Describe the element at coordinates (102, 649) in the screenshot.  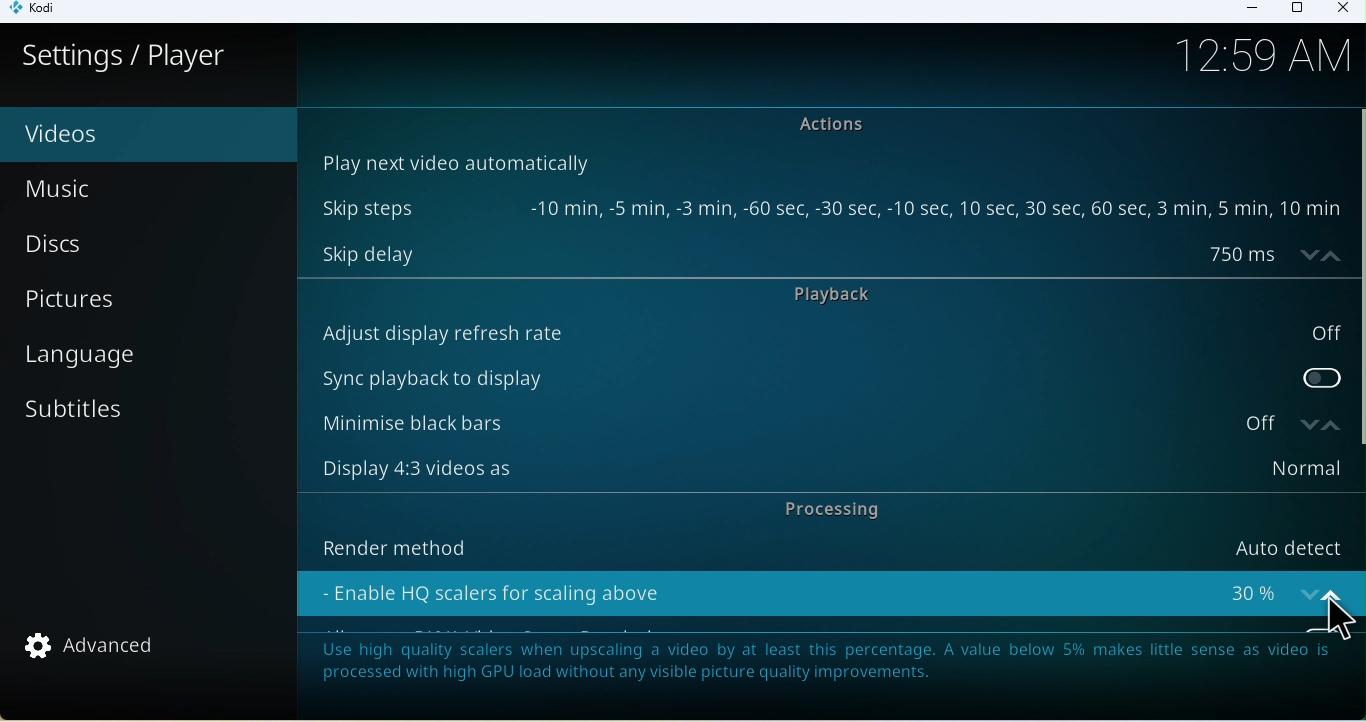
I see `Advanced` at that location.